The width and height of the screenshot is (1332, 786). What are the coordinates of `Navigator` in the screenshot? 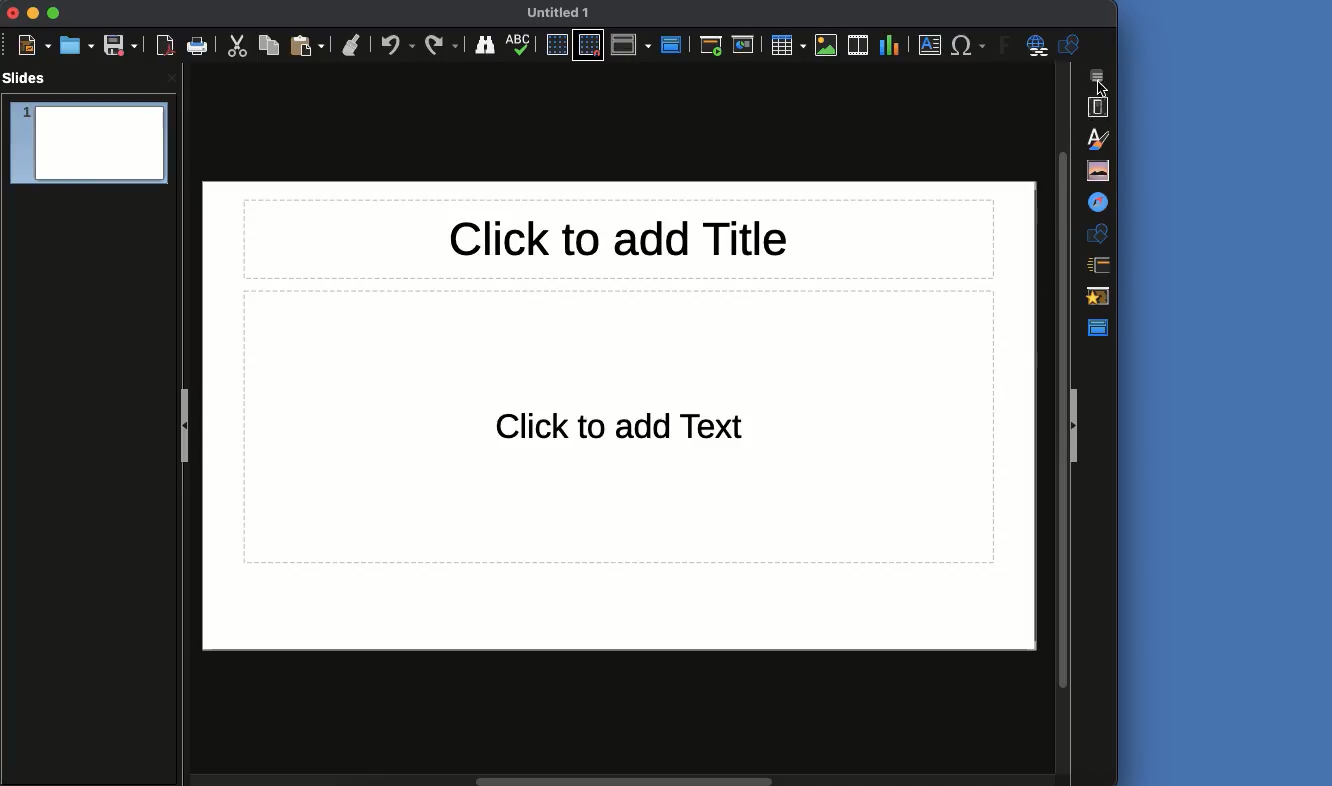 It's located at (1099, 202).